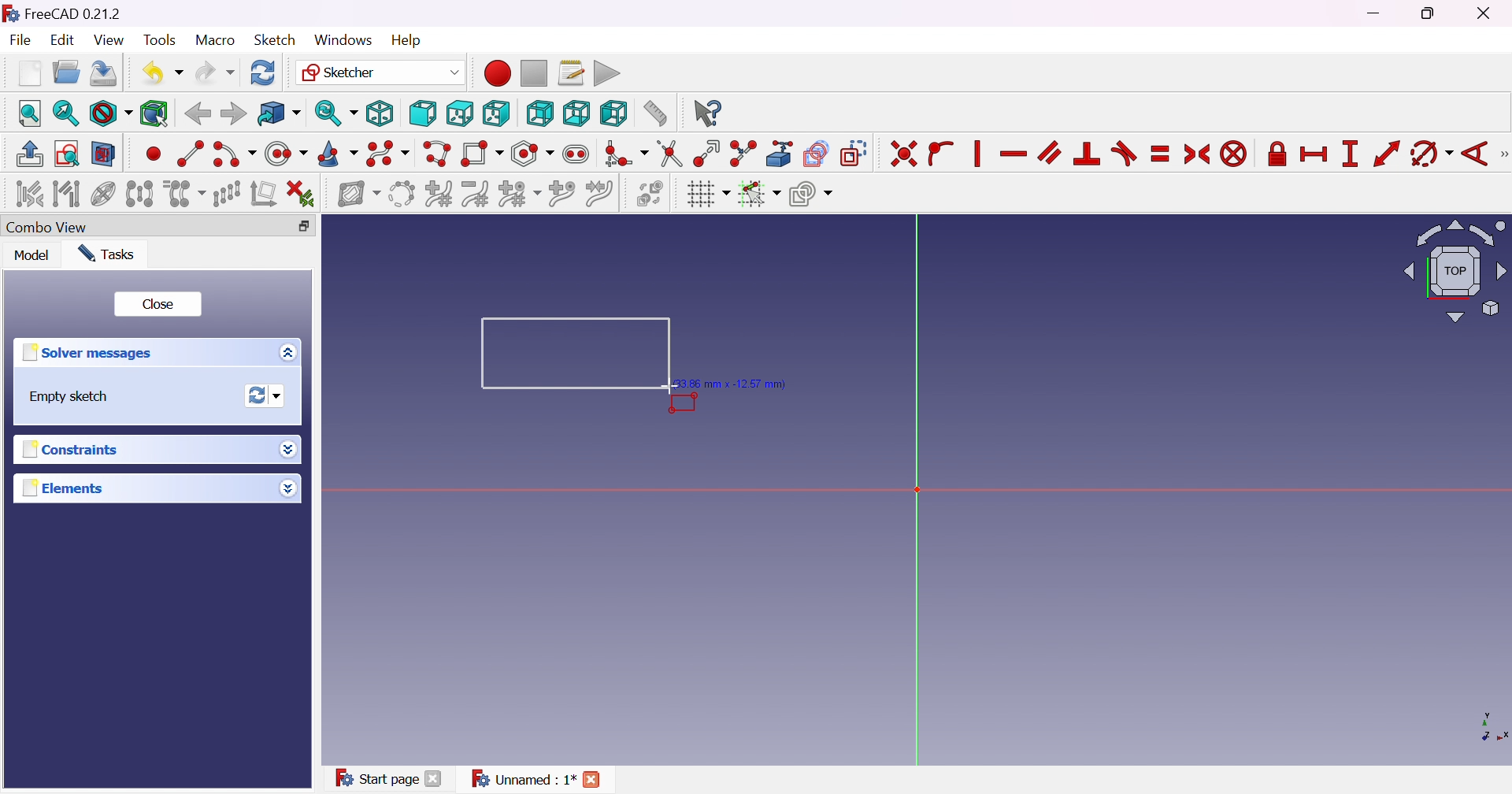 Image resolution: width=1512 pixels, height=794 pixels. Describe the element at coordinates (287, 488) in the screenshot. I see `More options` at that location.